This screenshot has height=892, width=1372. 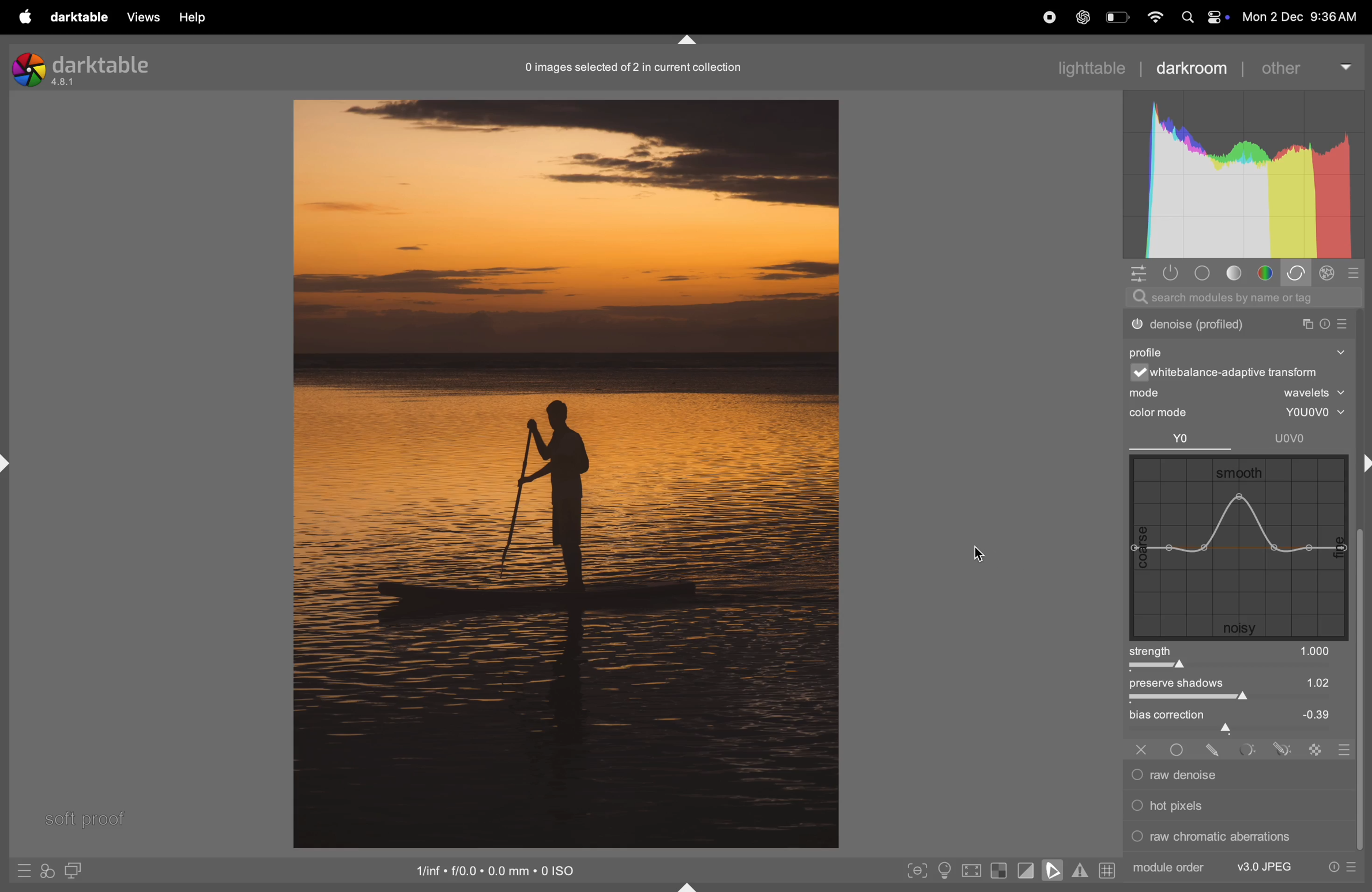 I want to click on quick acess panel, so click(x=1141, y=274).